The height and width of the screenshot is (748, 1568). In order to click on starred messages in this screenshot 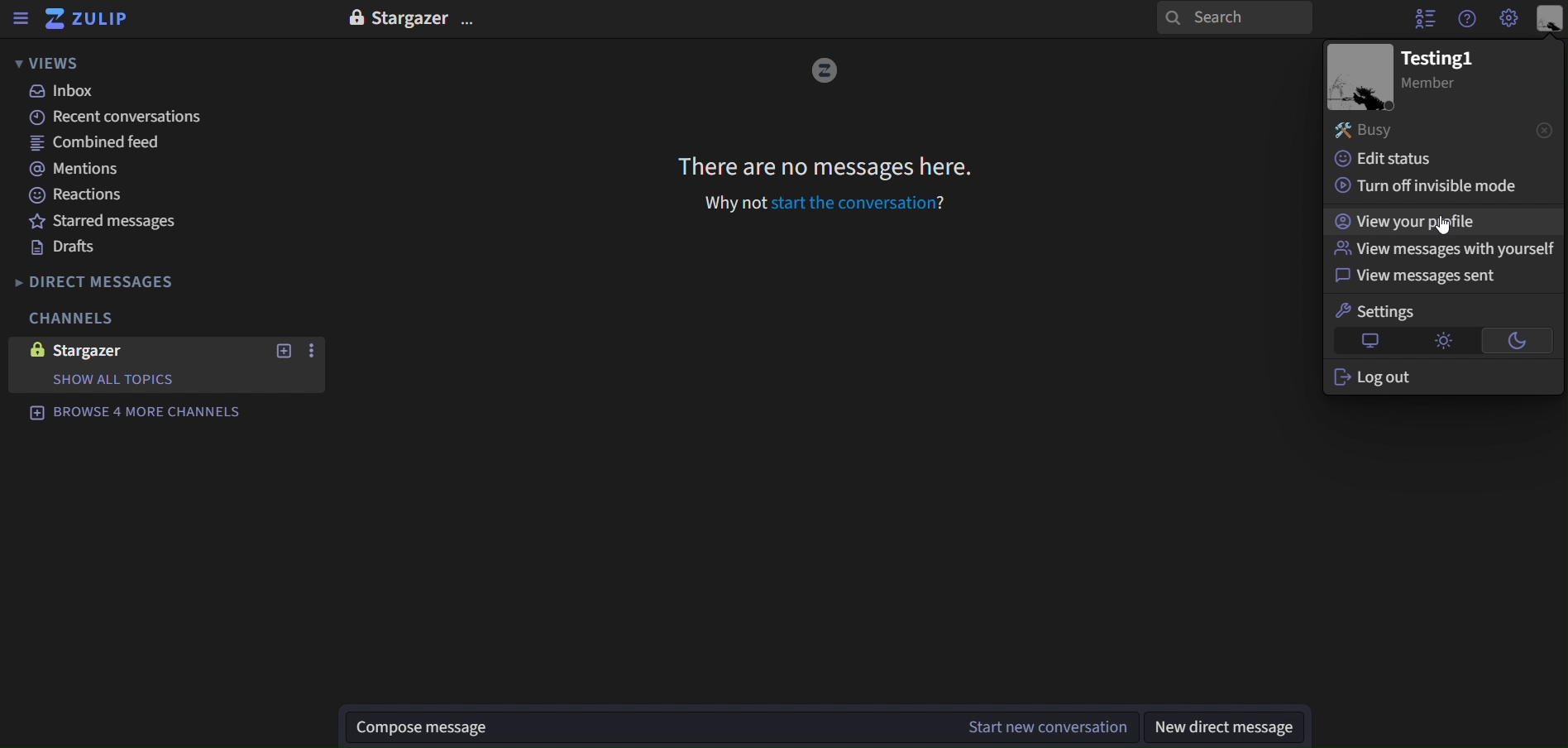, I will do `click(111, 221)`.